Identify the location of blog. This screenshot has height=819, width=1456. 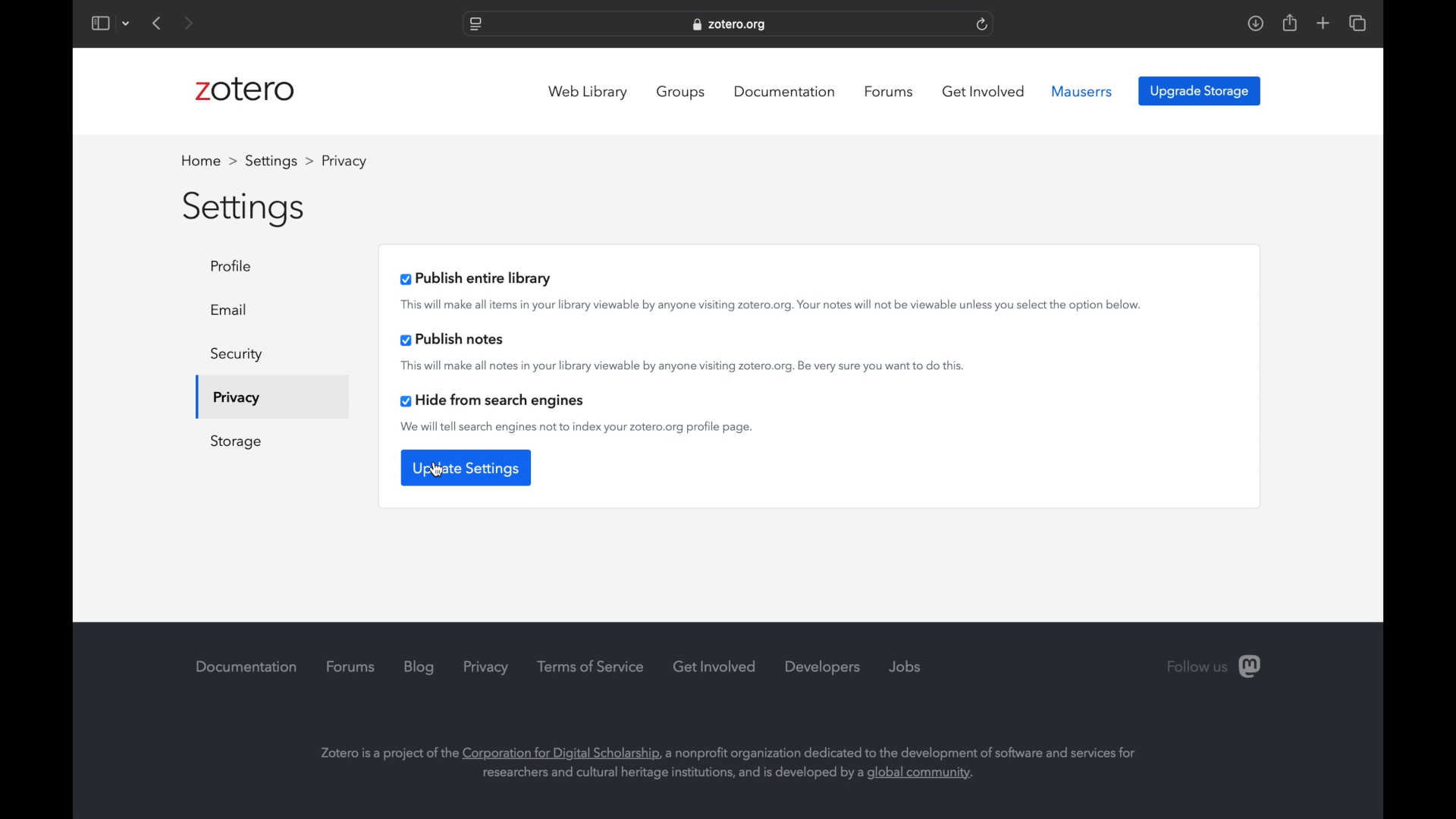
(419, 667).